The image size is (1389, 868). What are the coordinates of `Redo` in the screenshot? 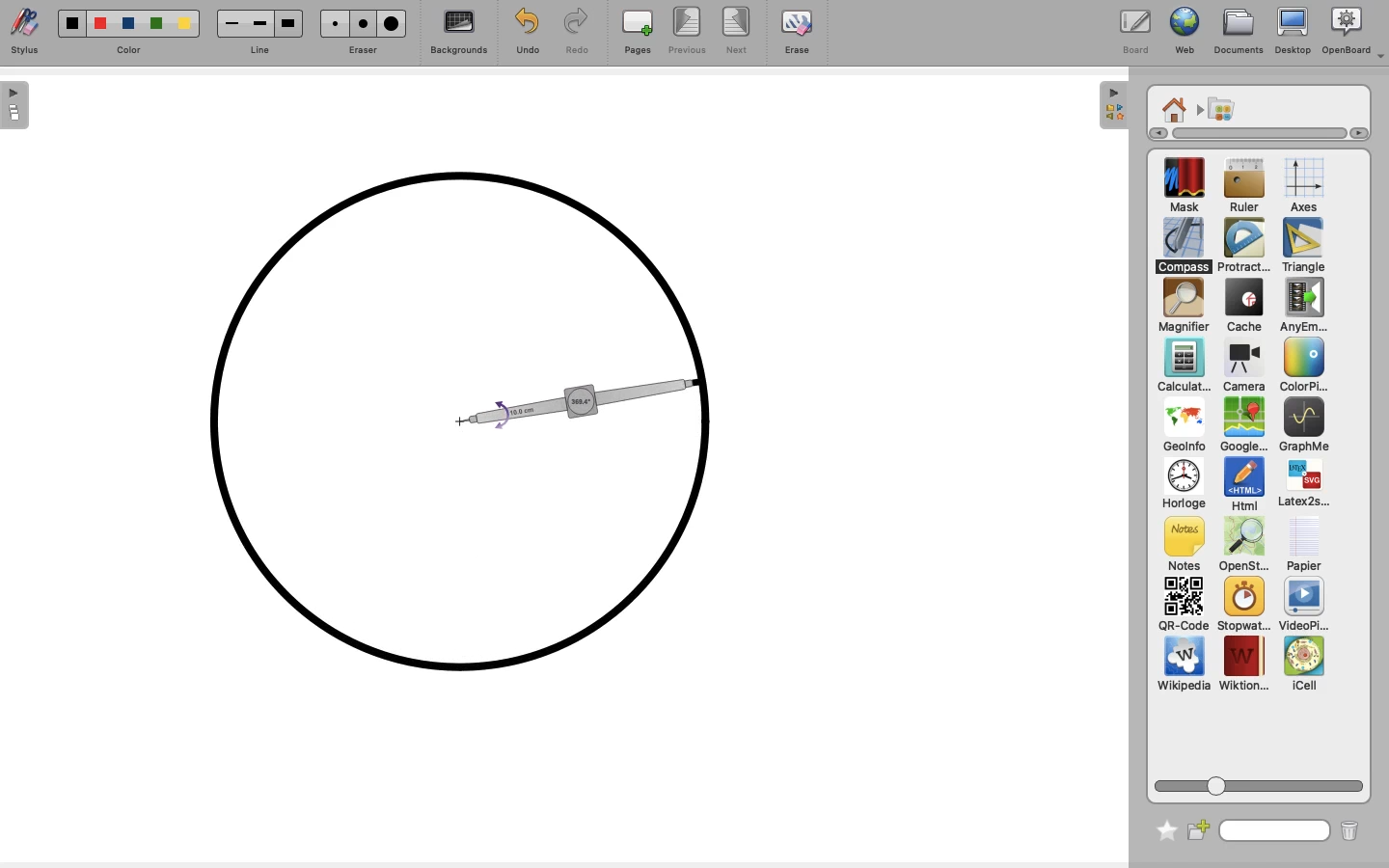 It's located at (578, 33).